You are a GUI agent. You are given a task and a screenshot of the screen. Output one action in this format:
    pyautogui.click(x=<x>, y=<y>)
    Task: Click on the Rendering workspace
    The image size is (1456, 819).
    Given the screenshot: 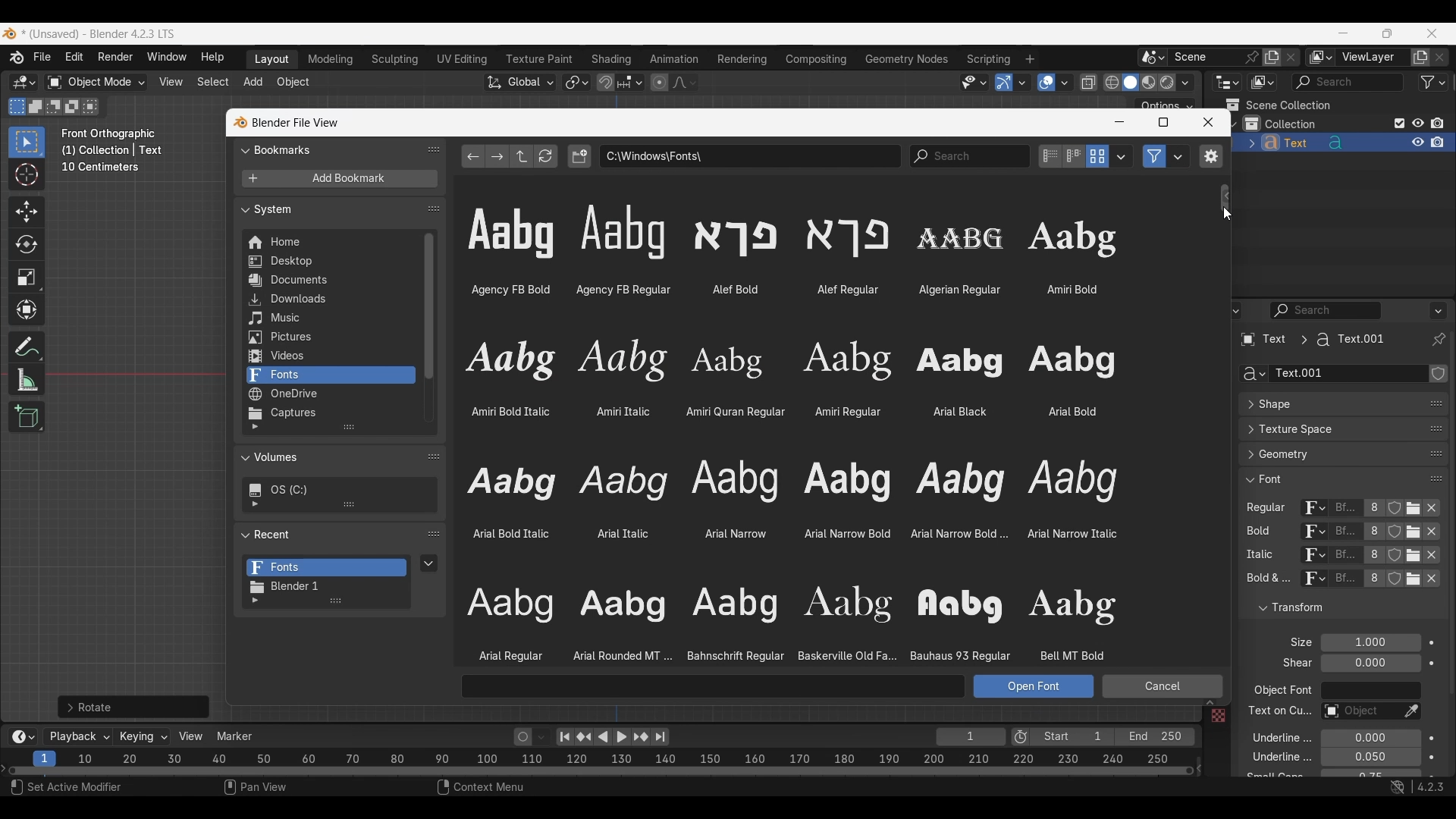 What is the action you would take?
    pyautogui.click(x=742, y=58)
    